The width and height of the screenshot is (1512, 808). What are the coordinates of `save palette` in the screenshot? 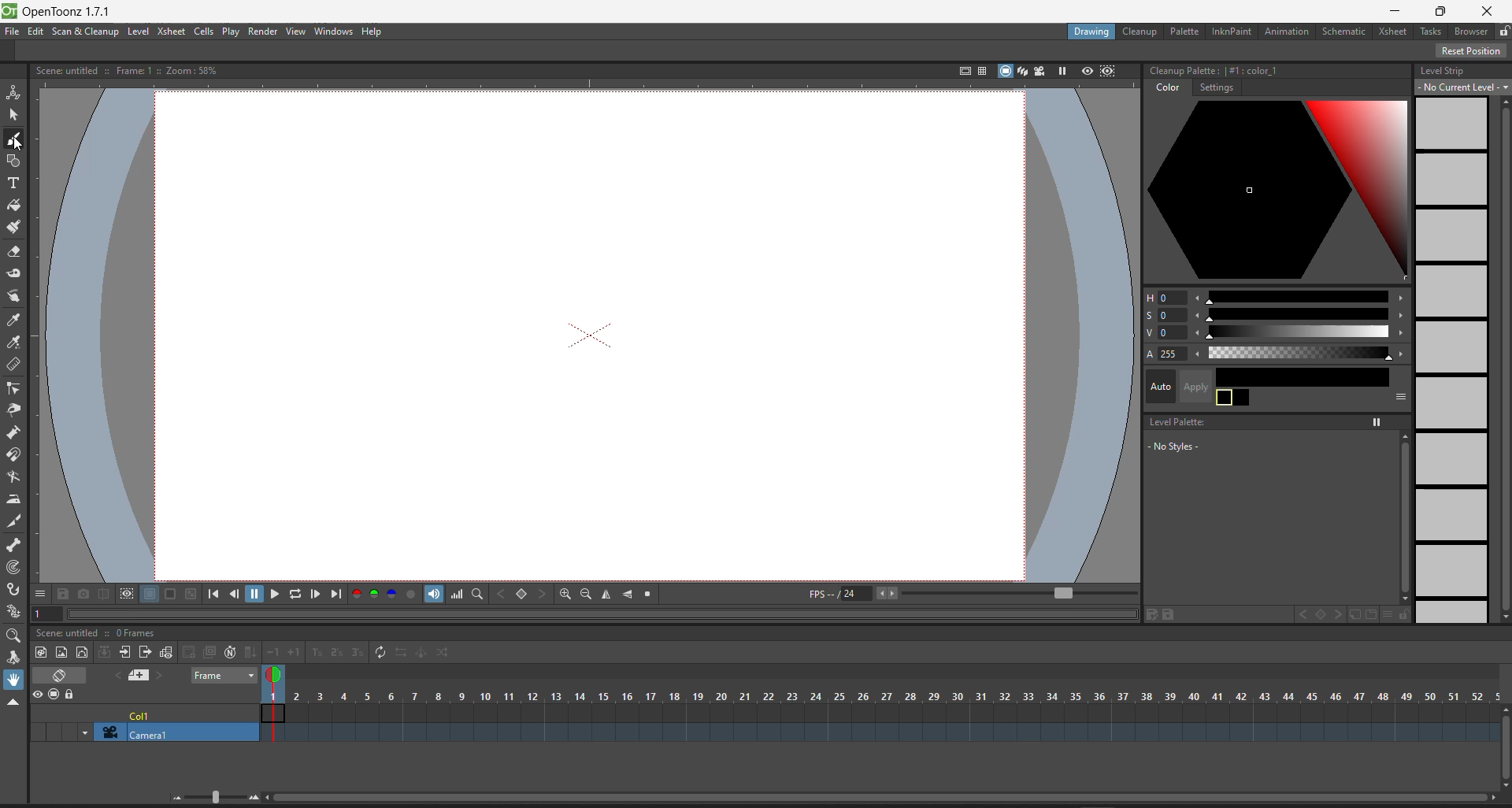 It's located at (1172, 614).